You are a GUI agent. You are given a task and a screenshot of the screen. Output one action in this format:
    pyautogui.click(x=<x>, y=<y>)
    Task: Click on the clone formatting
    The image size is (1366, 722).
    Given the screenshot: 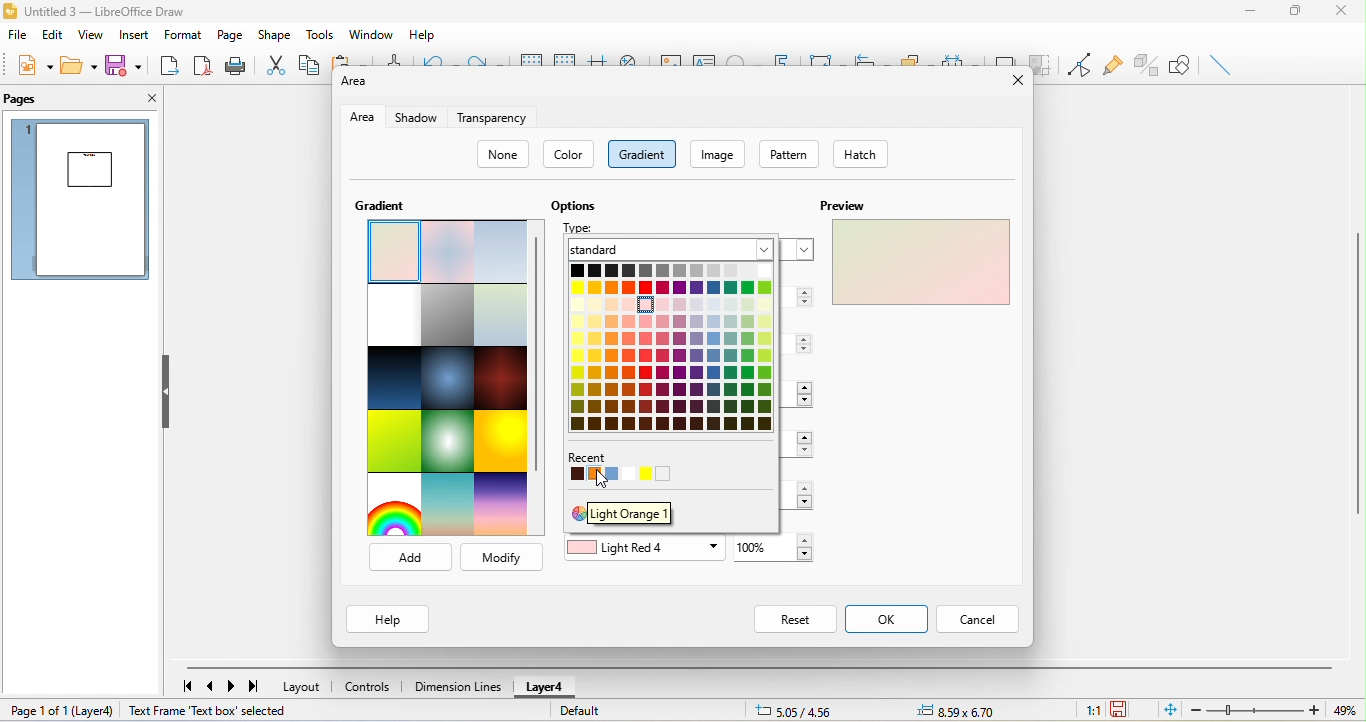 What is the action you would take?
    pyautogui.click(x=393, y=58)
    